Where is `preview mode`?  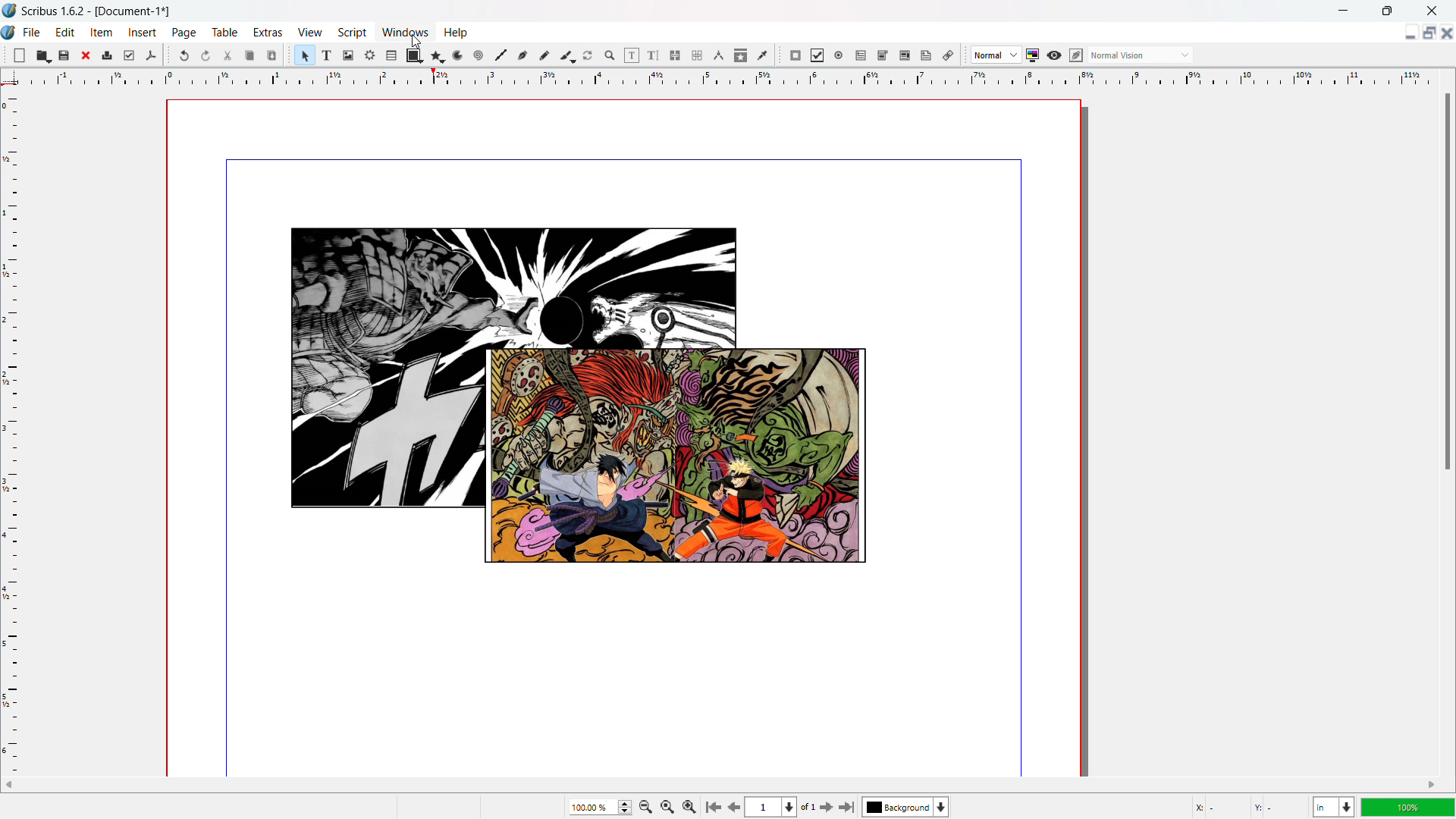
preview mode is located at coordinates (1054, 55).